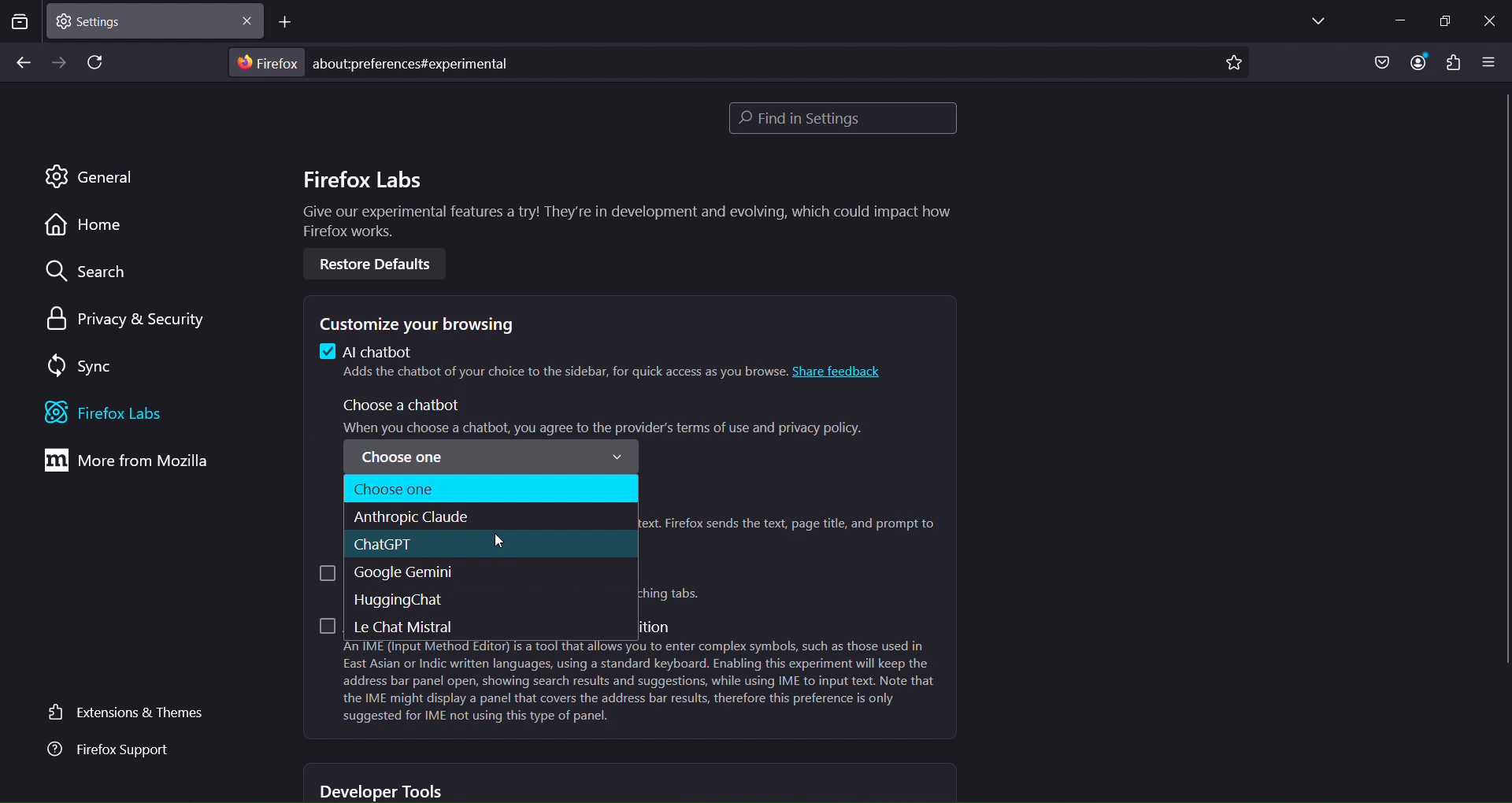 Image resolution: width=1512 pixels, height=803 pixels. Describe the element at coordinates (490, 454) in the screenshot. I see `Choose one ` at that location.